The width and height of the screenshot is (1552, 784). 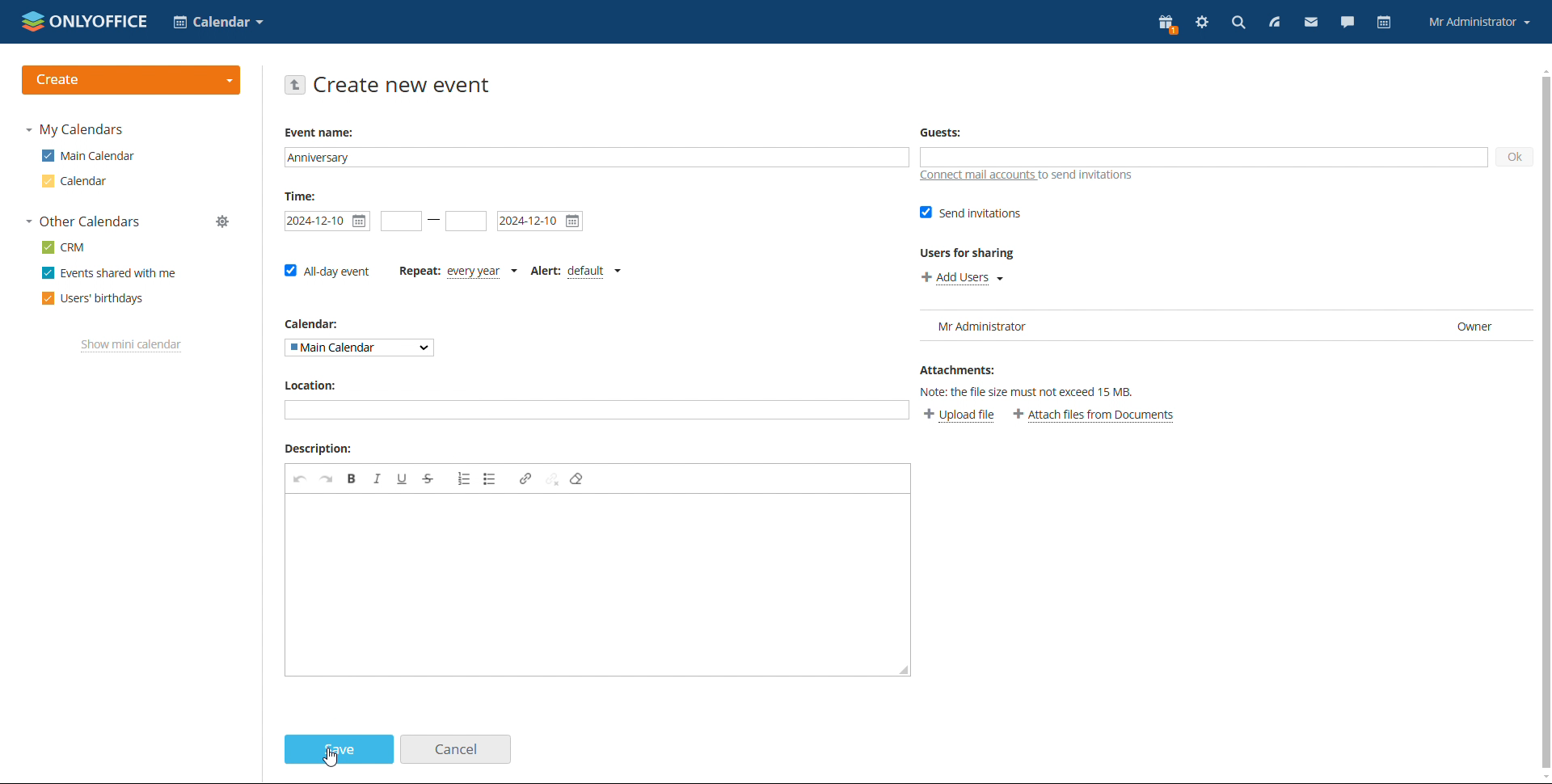 What do you see at coordinates (598, 157) in the screenshot?
I see `event name added` at bounding box center [598, 157].